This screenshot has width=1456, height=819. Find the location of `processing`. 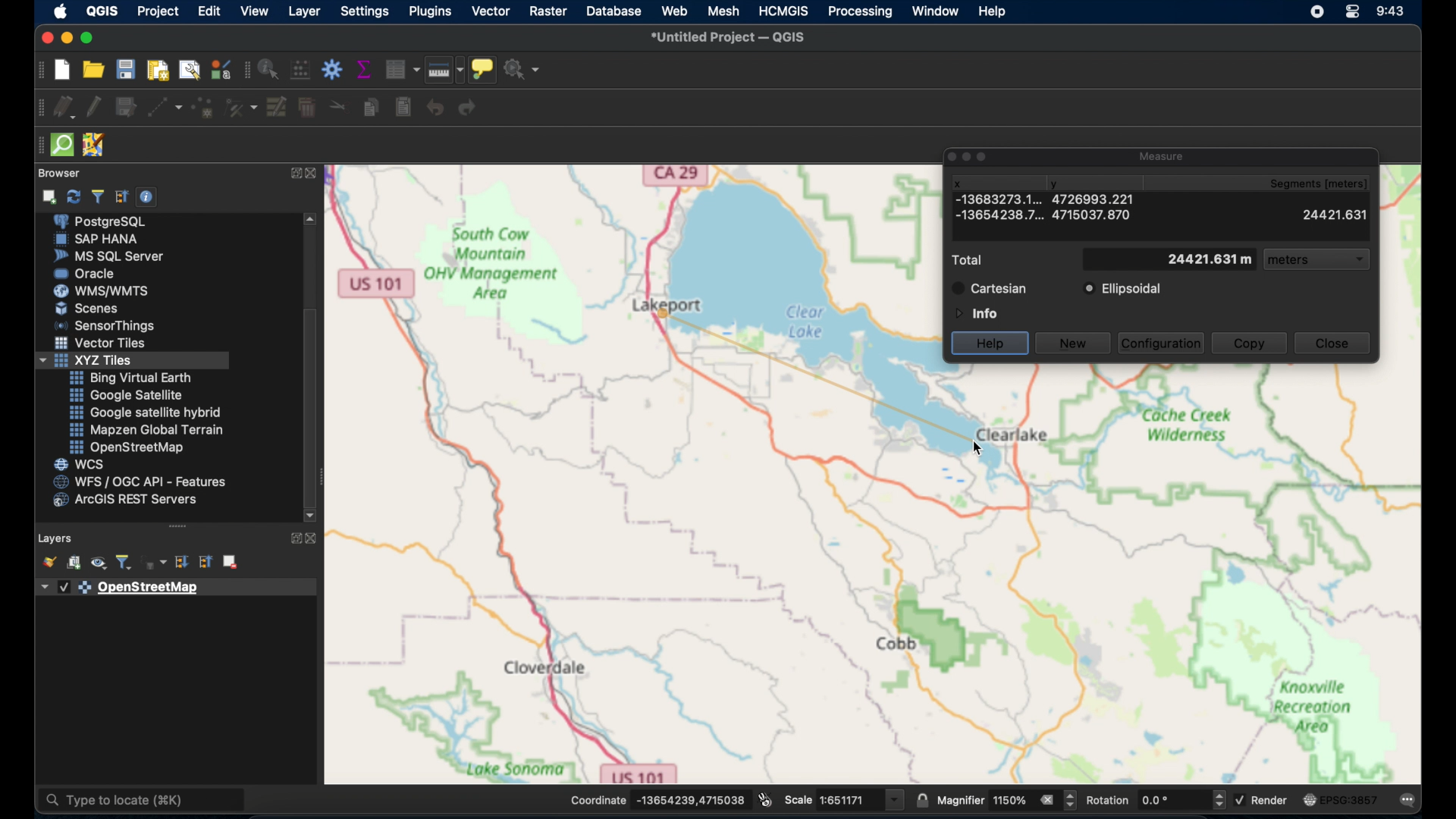

processing is located at coordinates (858, 13).